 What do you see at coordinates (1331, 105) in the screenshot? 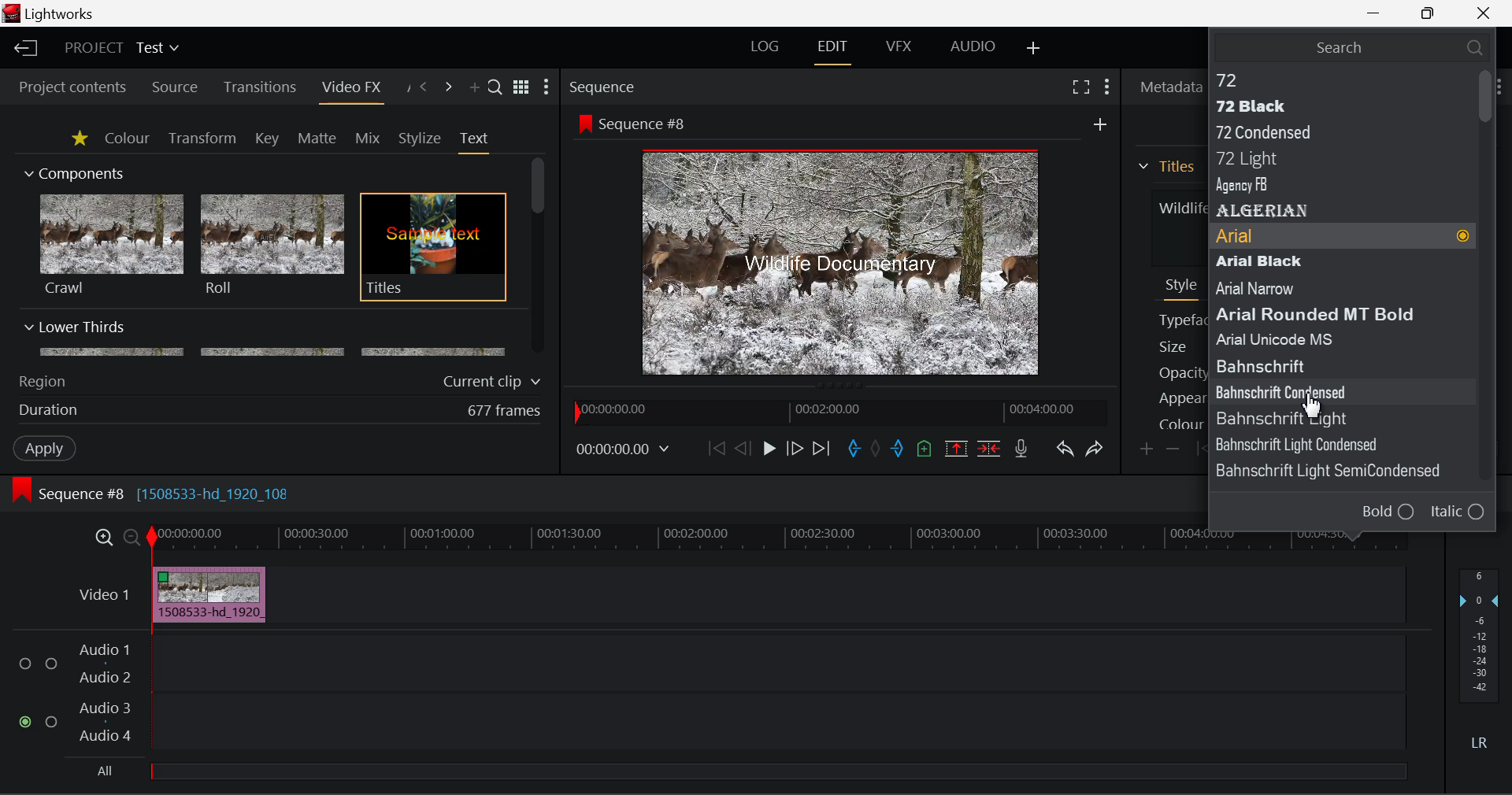
I see `72 Black` at bounding box center [1331, 105].